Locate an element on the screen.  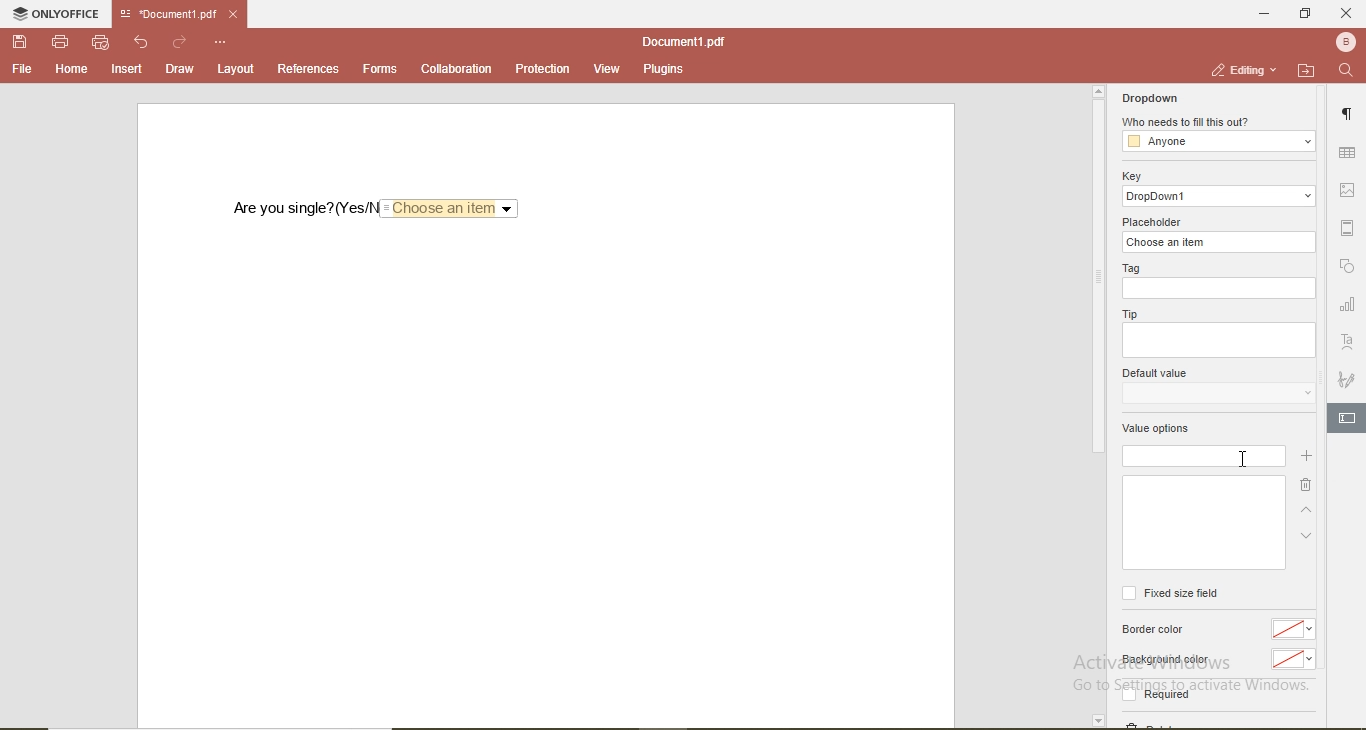
collaboration is located at coordinates (456, 69).